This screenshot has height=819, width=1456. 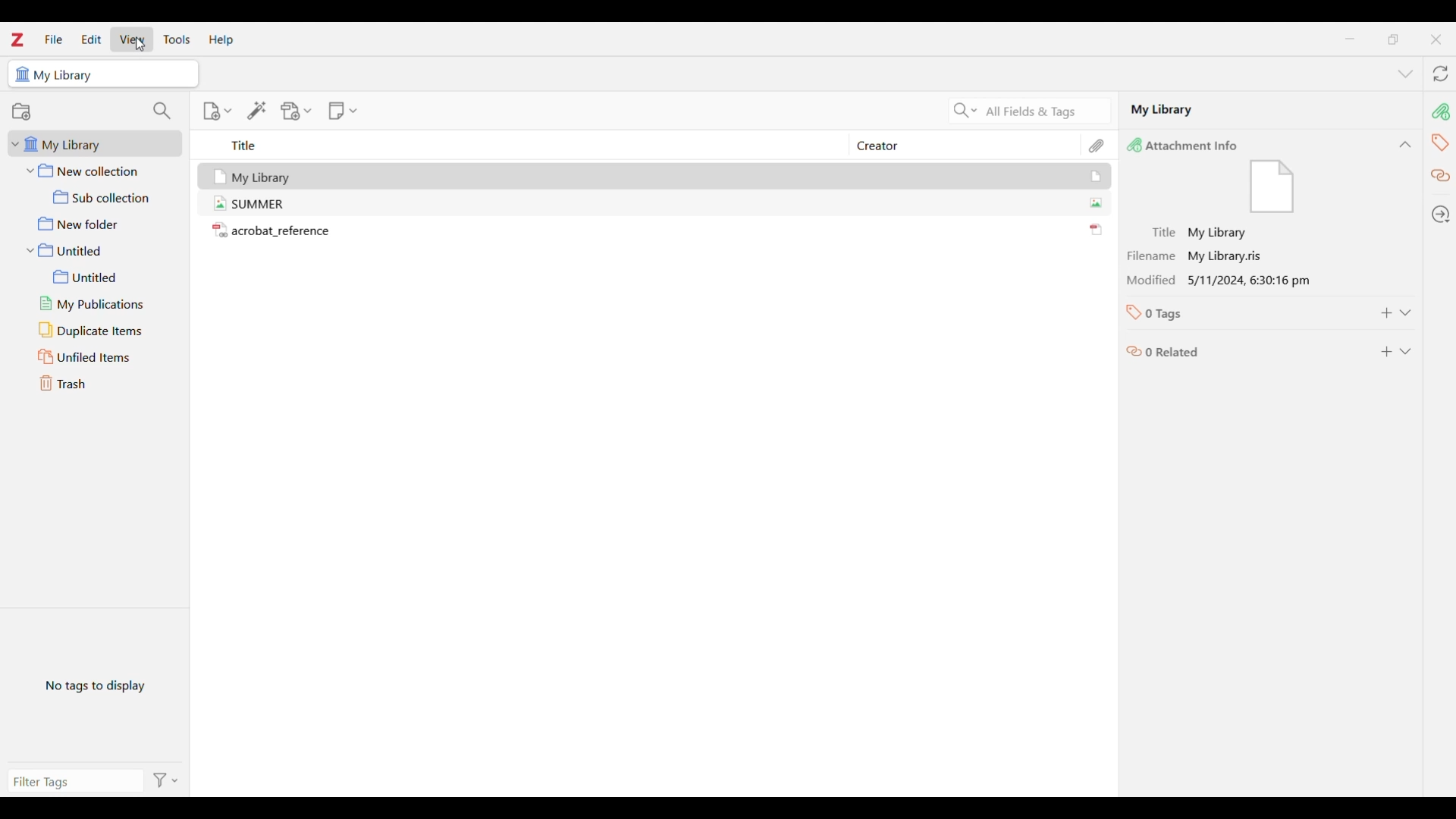 I want to click on No tags in selected file, so click(x=95, y=684).